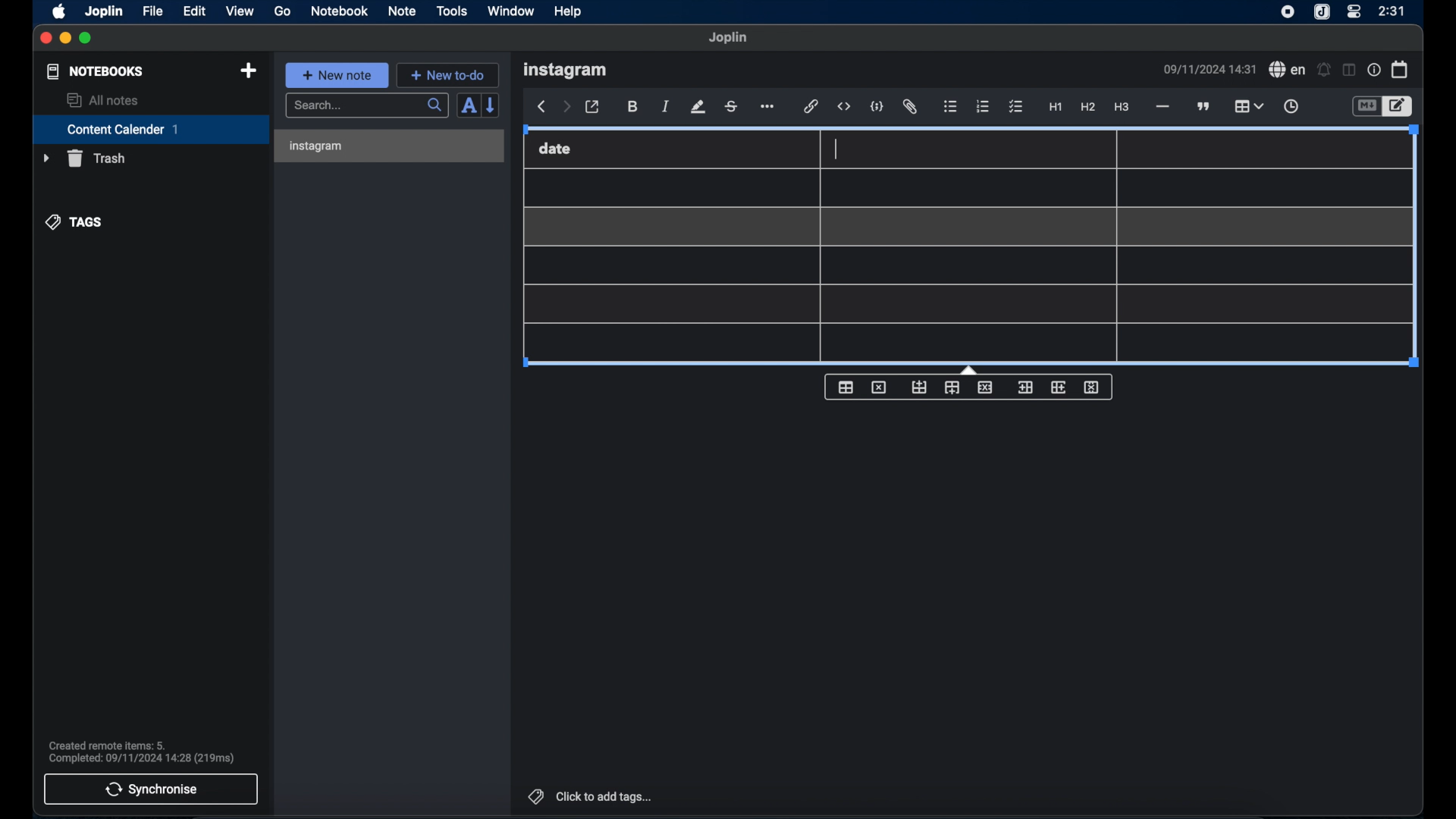 This screenshot has width=1456, height=819. Describe the element at coordinates (565, 71) in the screenshot. I see `instagram` at that location.